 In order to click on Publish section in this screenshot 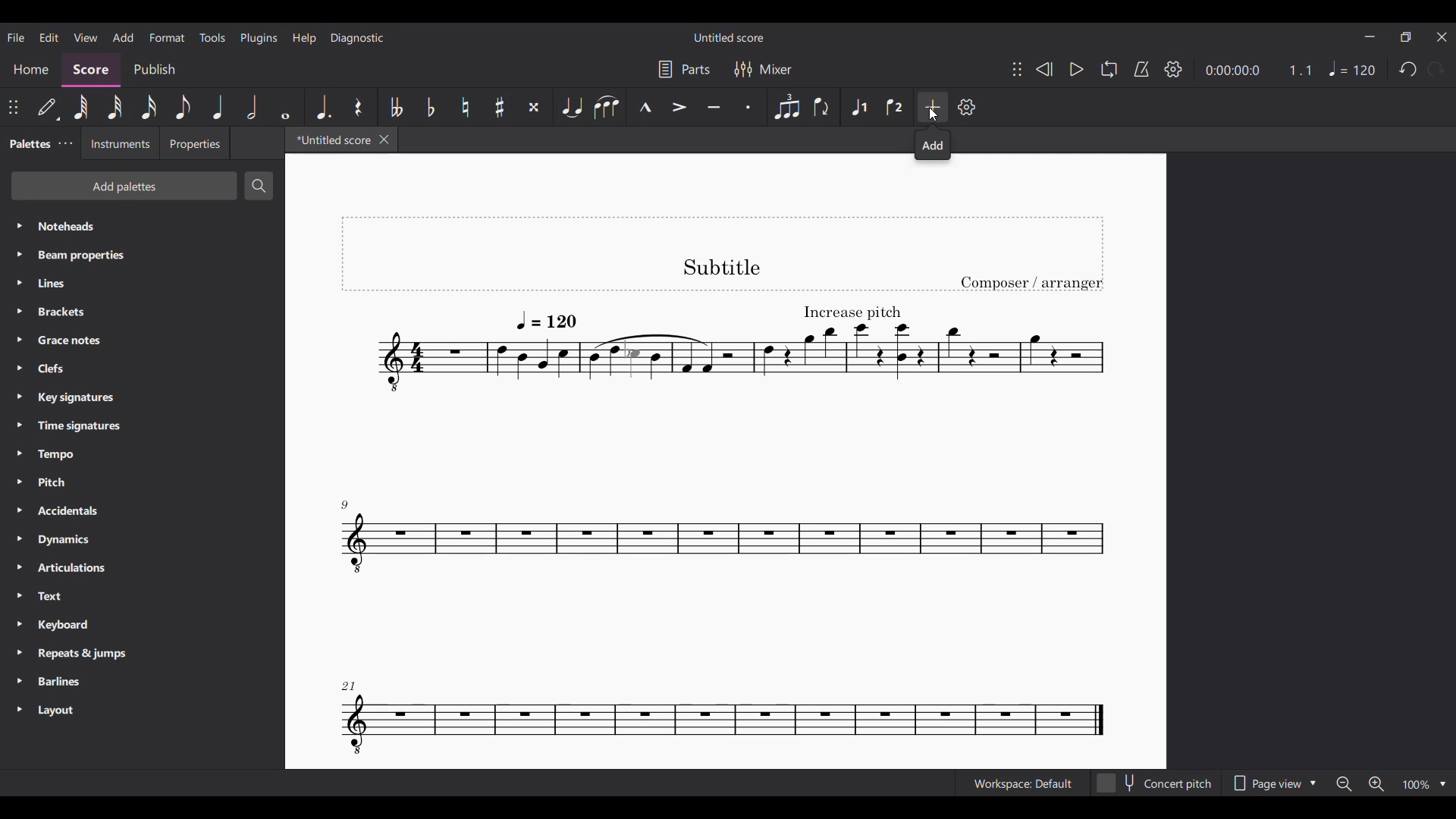, I will do `click(154, 70)`.